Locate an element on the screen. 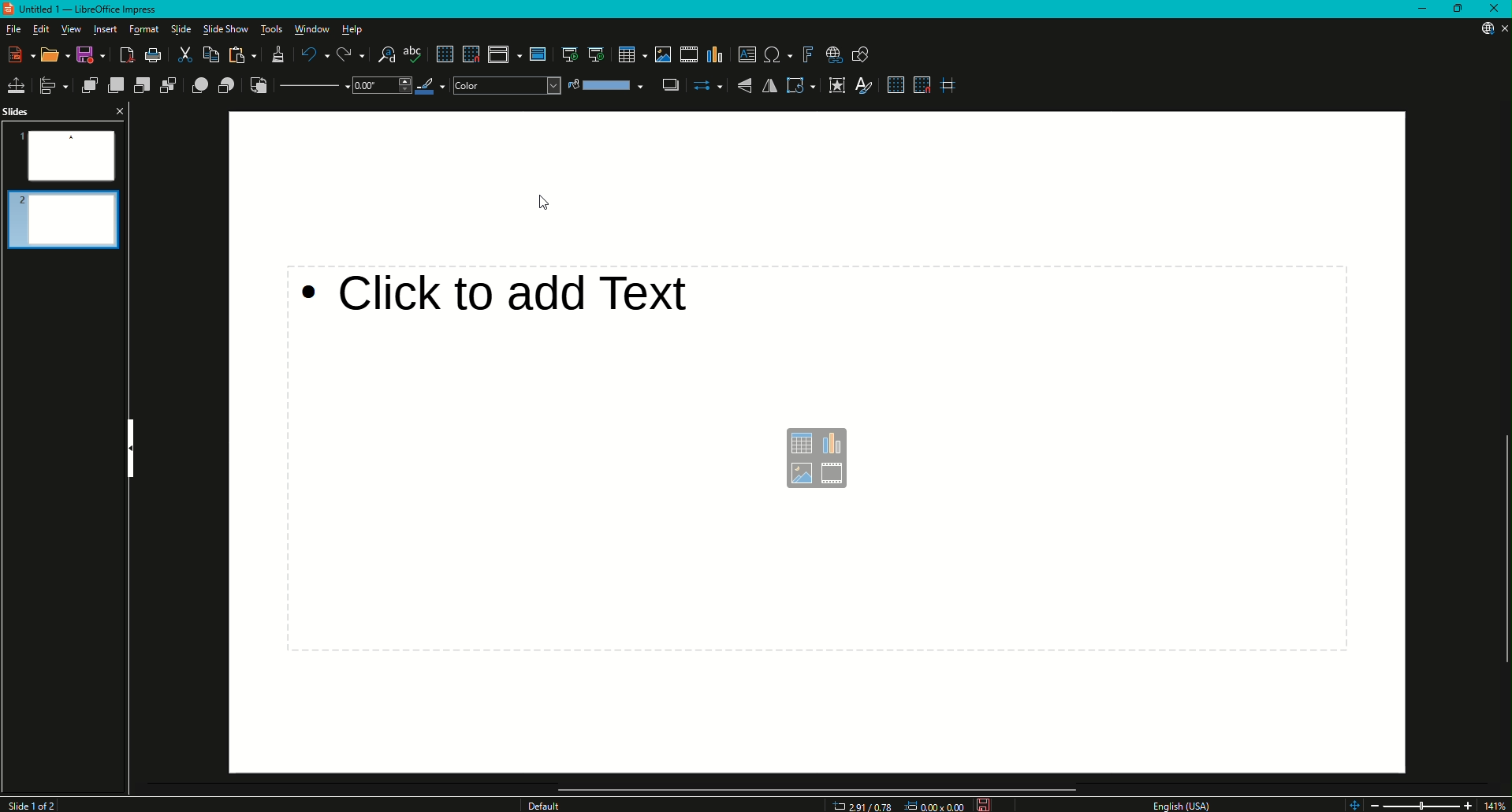 The image size is (1512, 812). Send to Back is located at coordinates (170, 85).